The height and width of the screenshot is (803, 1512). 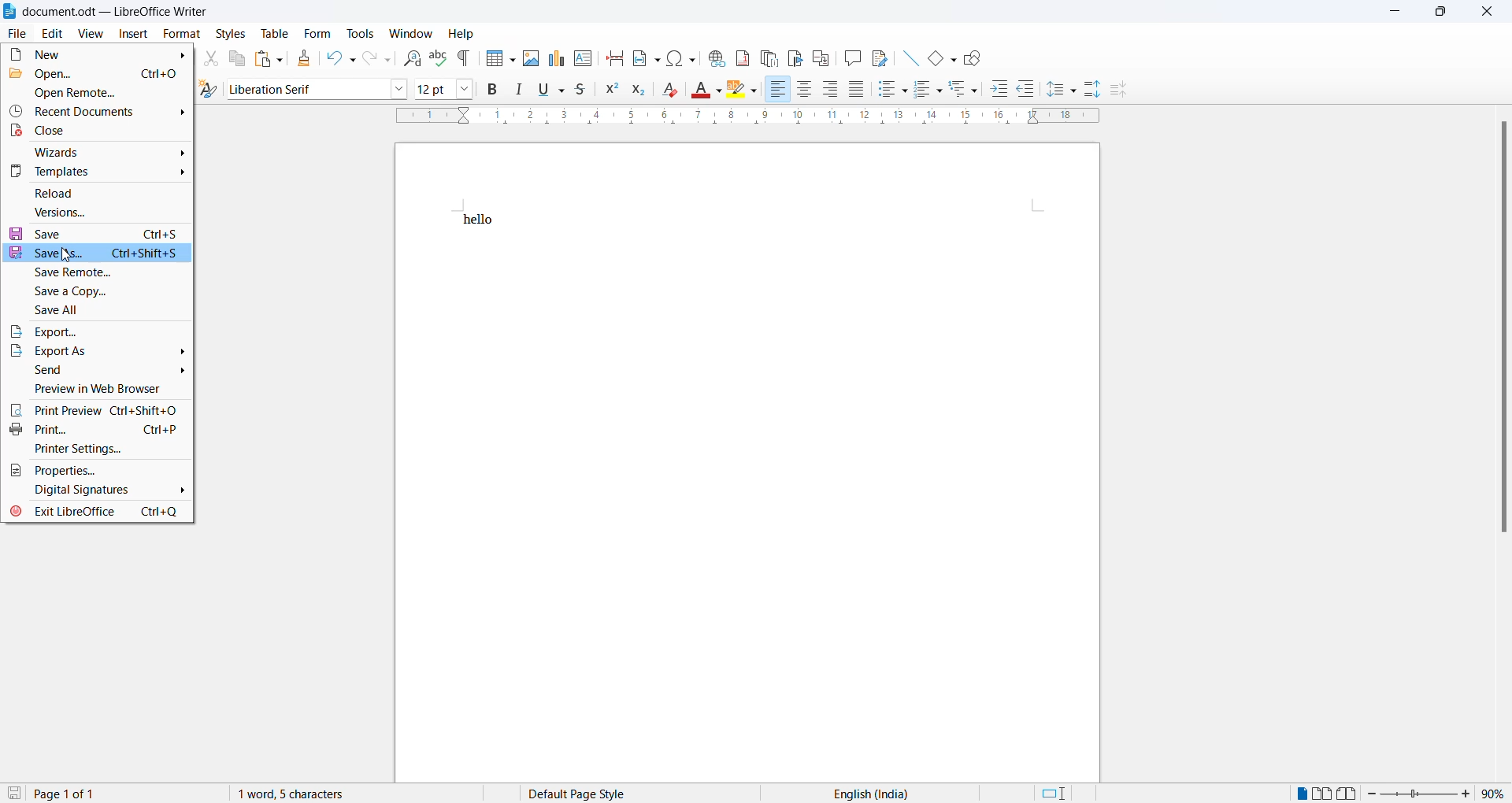 I want to click on Insert, so click(x=133, y=34).